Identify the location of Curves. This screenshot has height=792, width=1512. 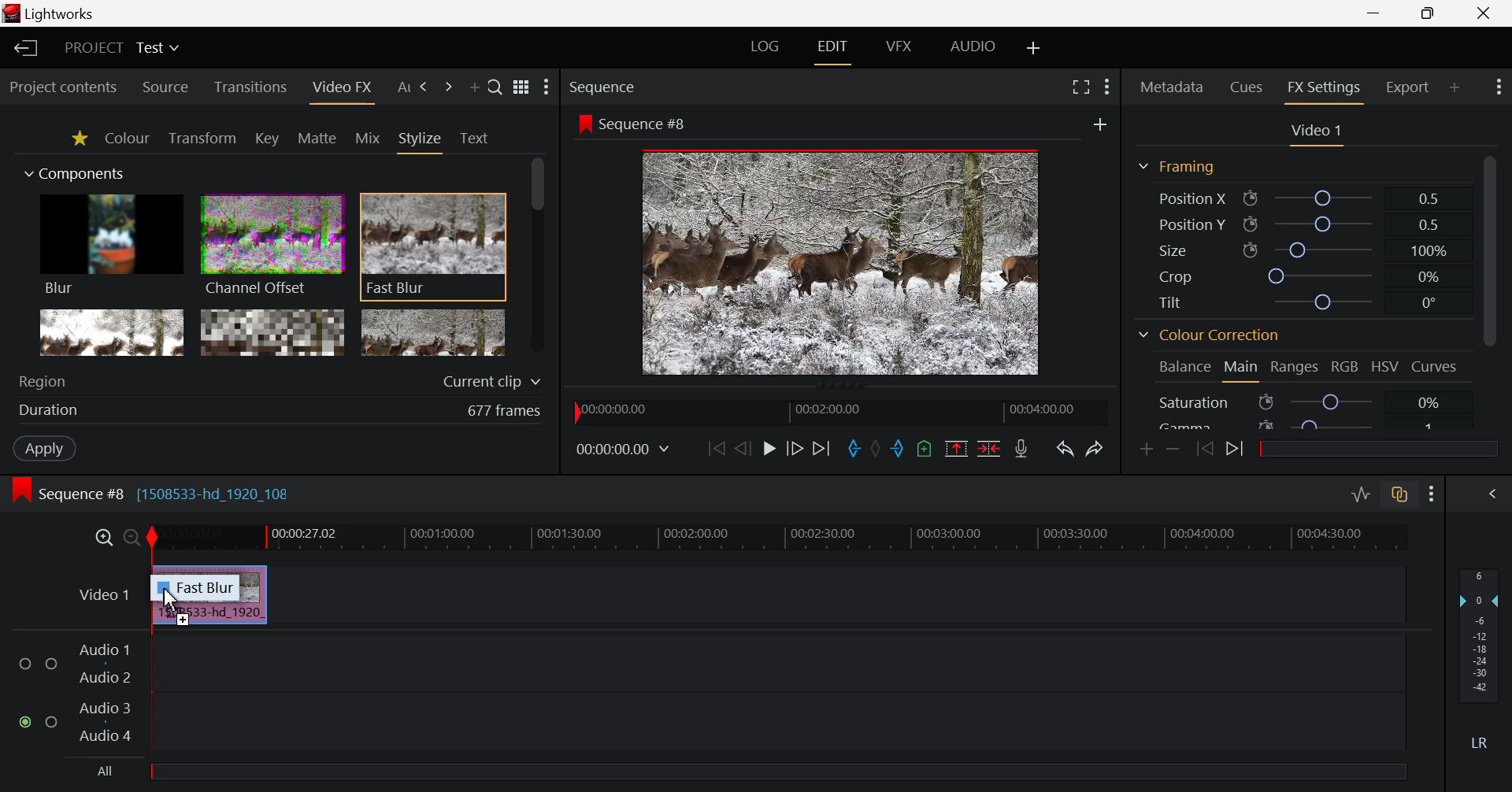
(1433, 367).